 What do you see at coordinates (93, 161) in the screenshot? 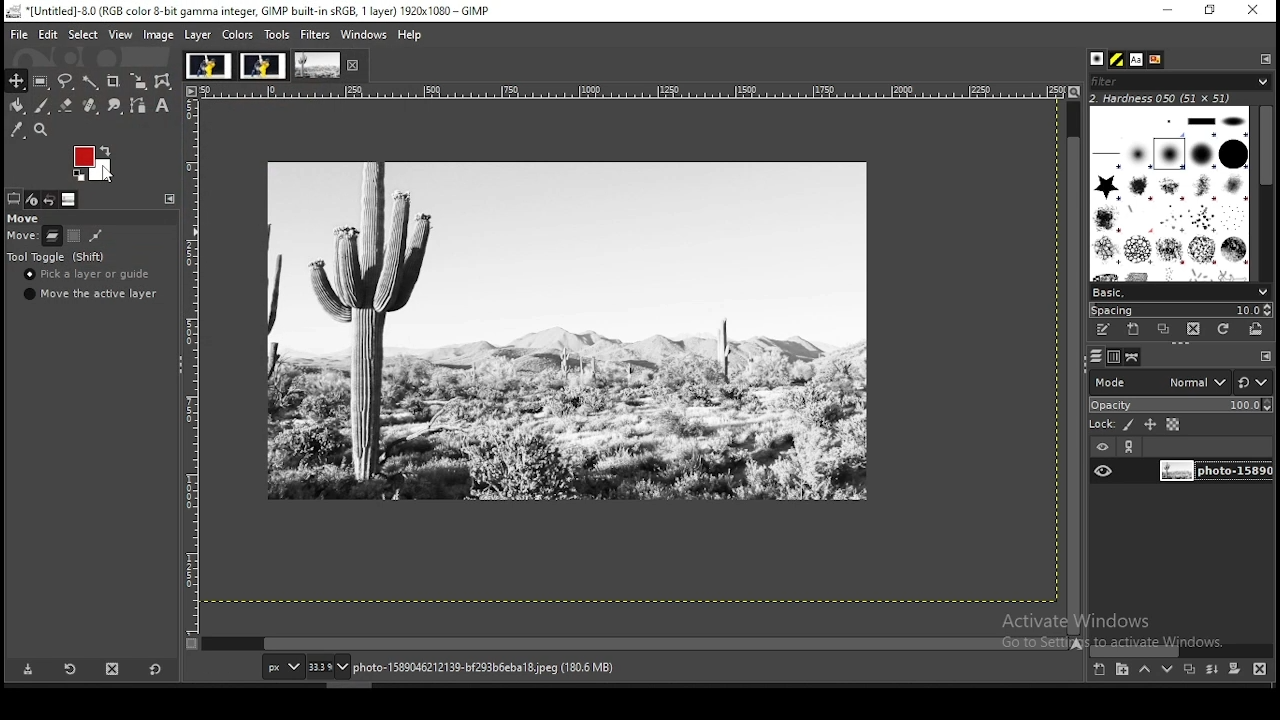
I see `image` at bounding box center [93, 161].